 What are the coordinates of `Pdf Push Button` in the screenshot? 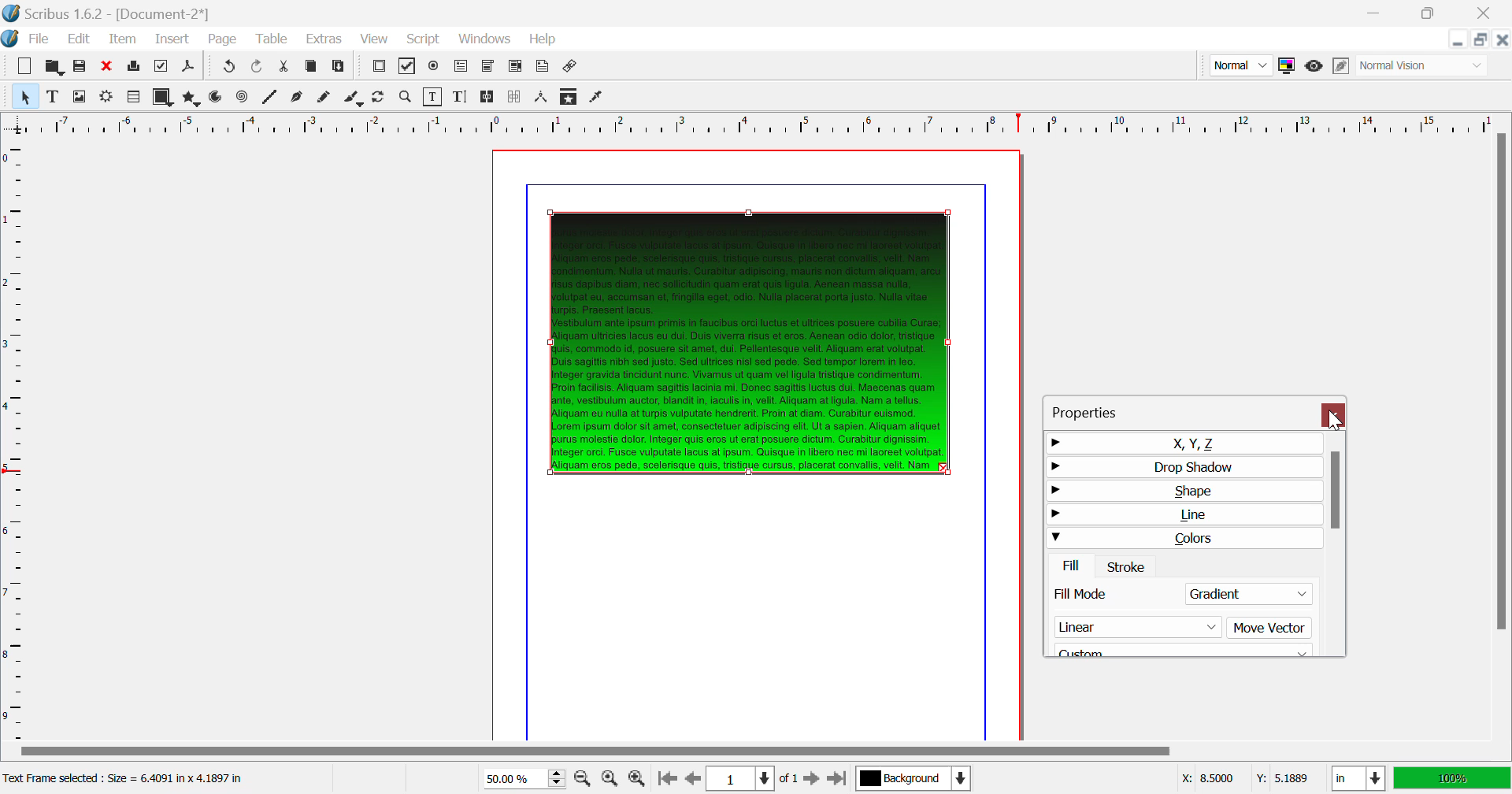 It's located at (379, 68).